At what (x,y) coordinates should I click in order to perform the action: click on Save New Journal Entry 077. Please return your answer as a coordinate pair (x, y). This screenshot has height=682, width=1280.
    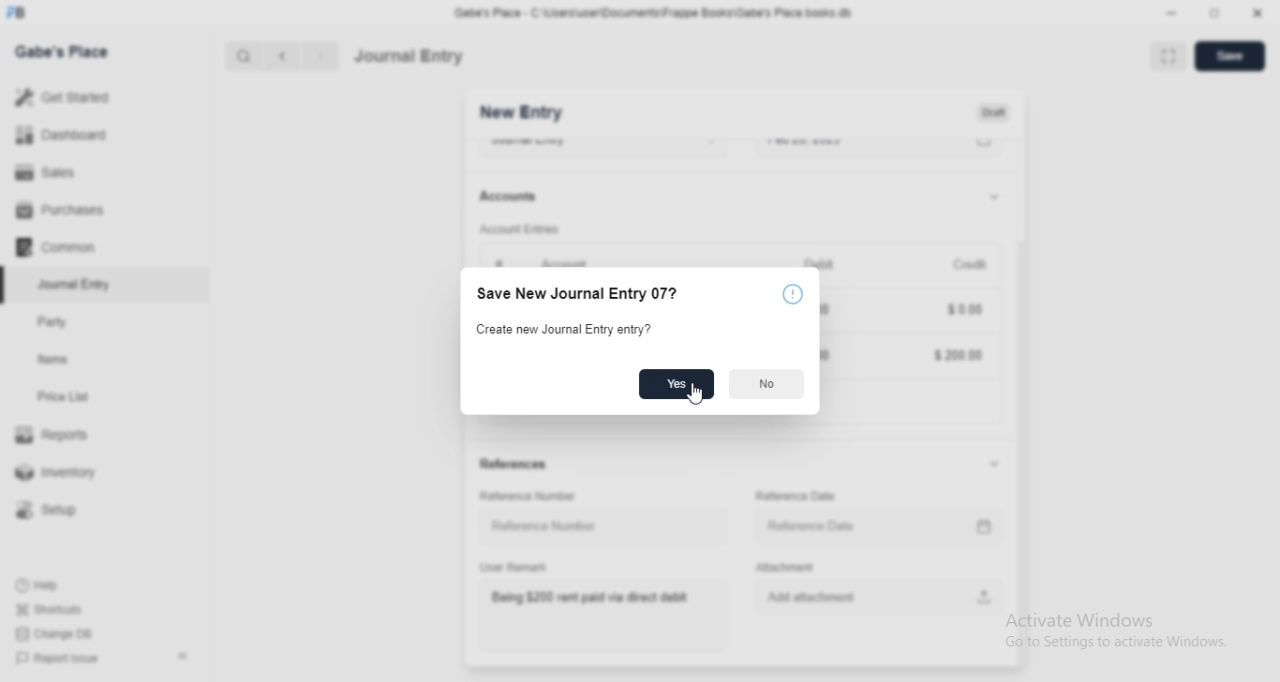
    Looking at the image, I should click on (586, 291).